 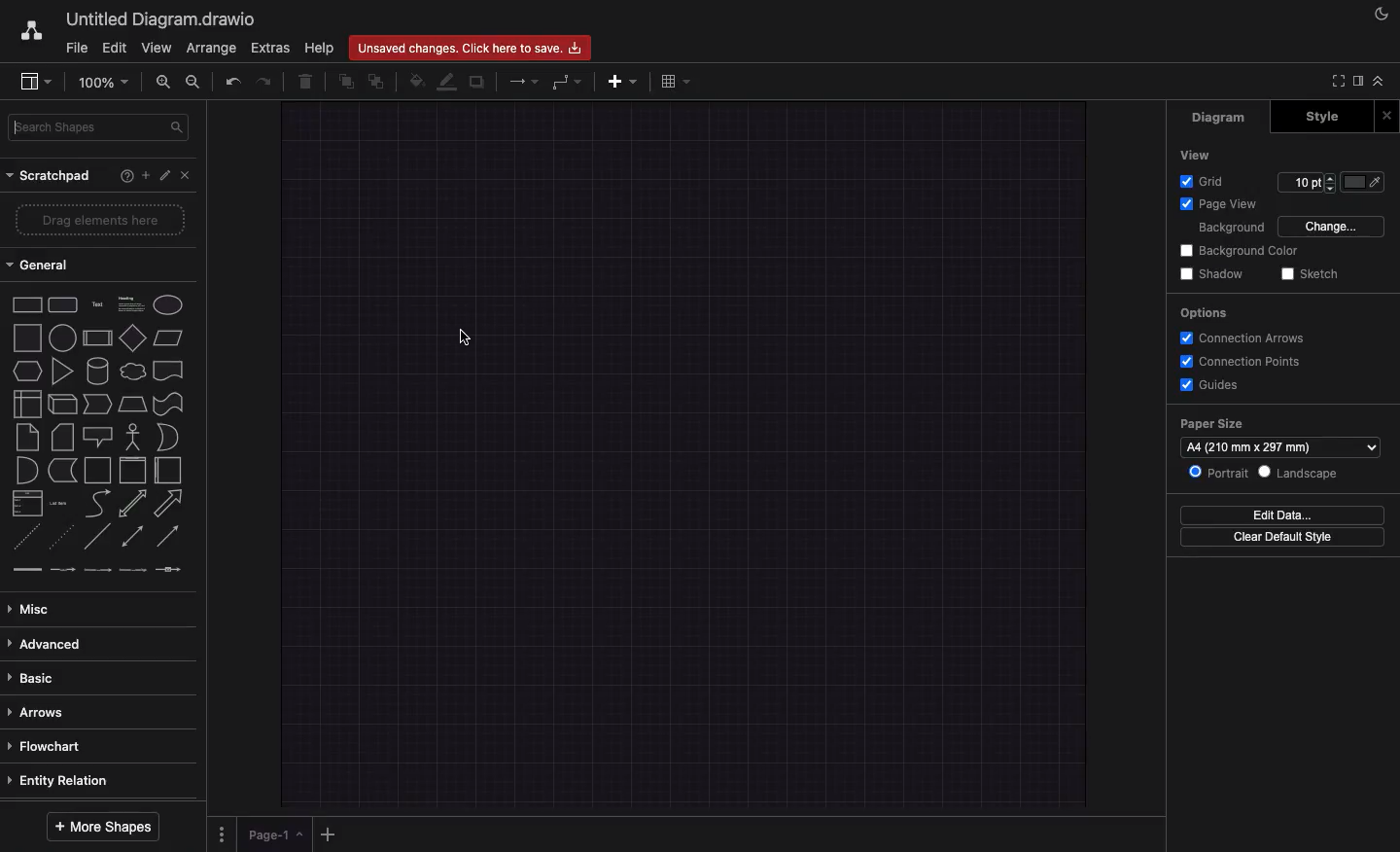 I want to click on Arrange, so click(x=211, y=49).